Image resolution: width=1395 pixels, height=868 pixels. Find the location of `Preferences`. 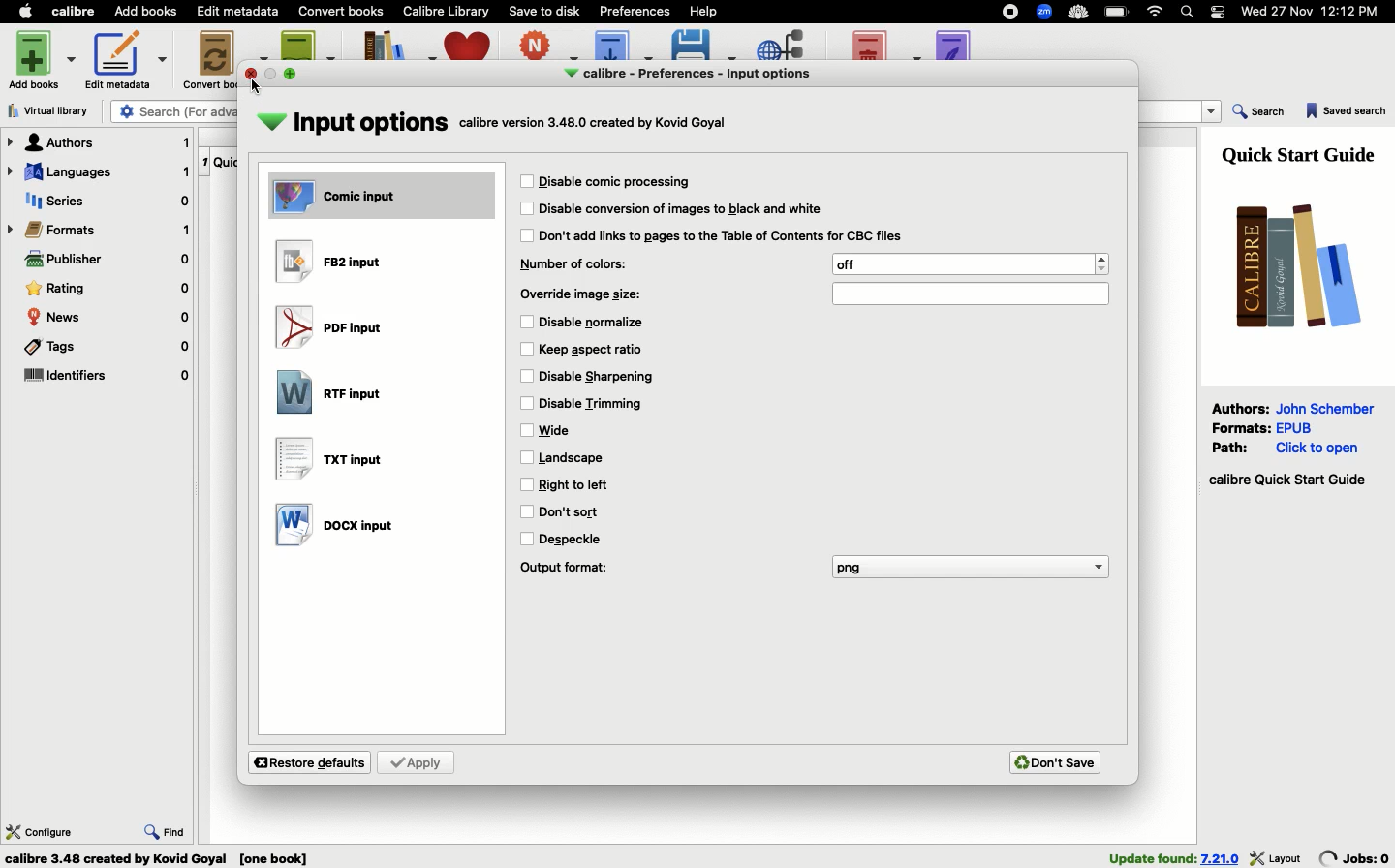

Preferences is located at coordinates (636, 10).